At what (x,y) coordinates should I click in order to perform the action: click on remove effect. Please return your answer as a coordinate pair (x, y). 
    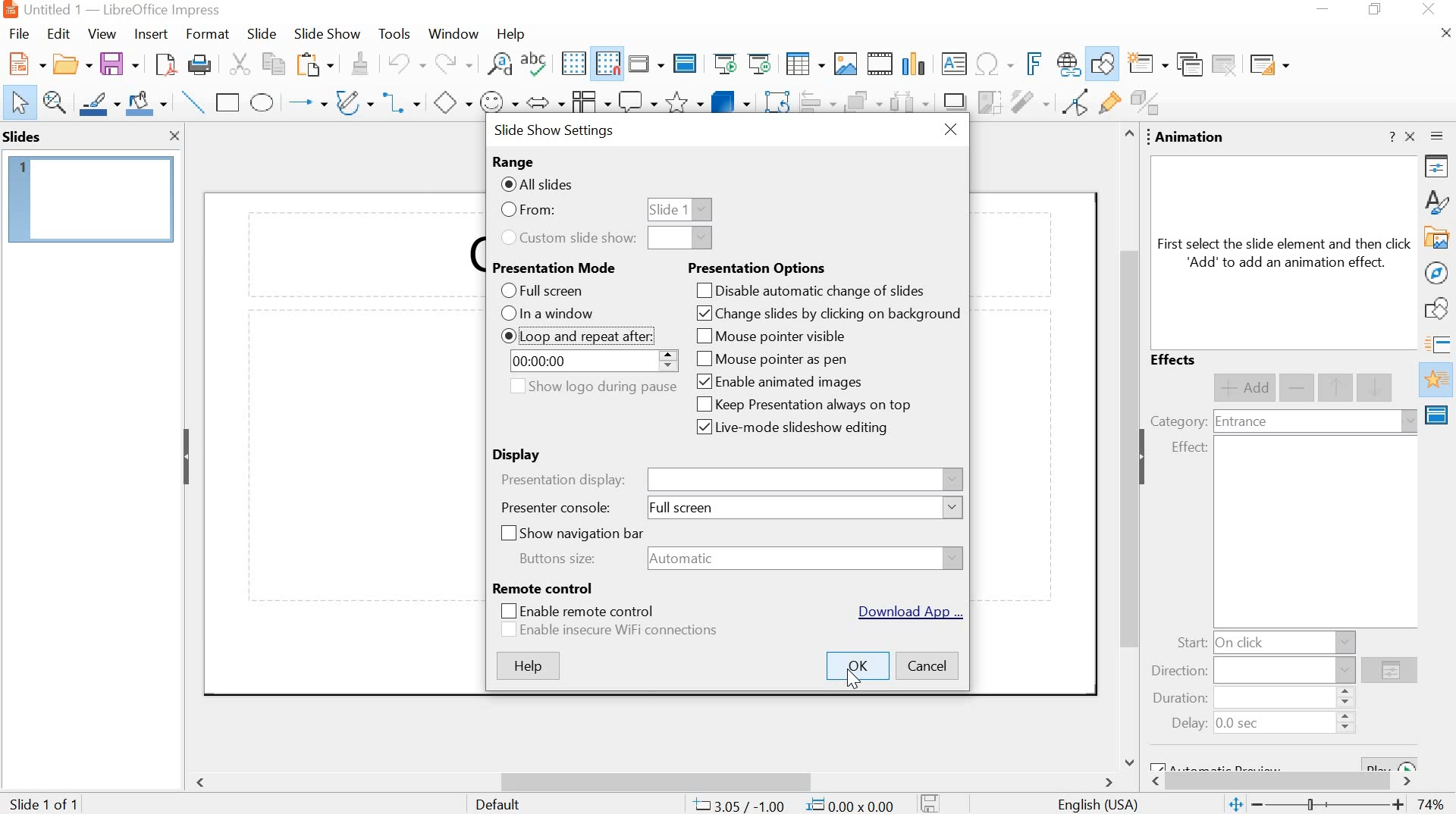
    Looking at the image, I should click on (1298, 389).